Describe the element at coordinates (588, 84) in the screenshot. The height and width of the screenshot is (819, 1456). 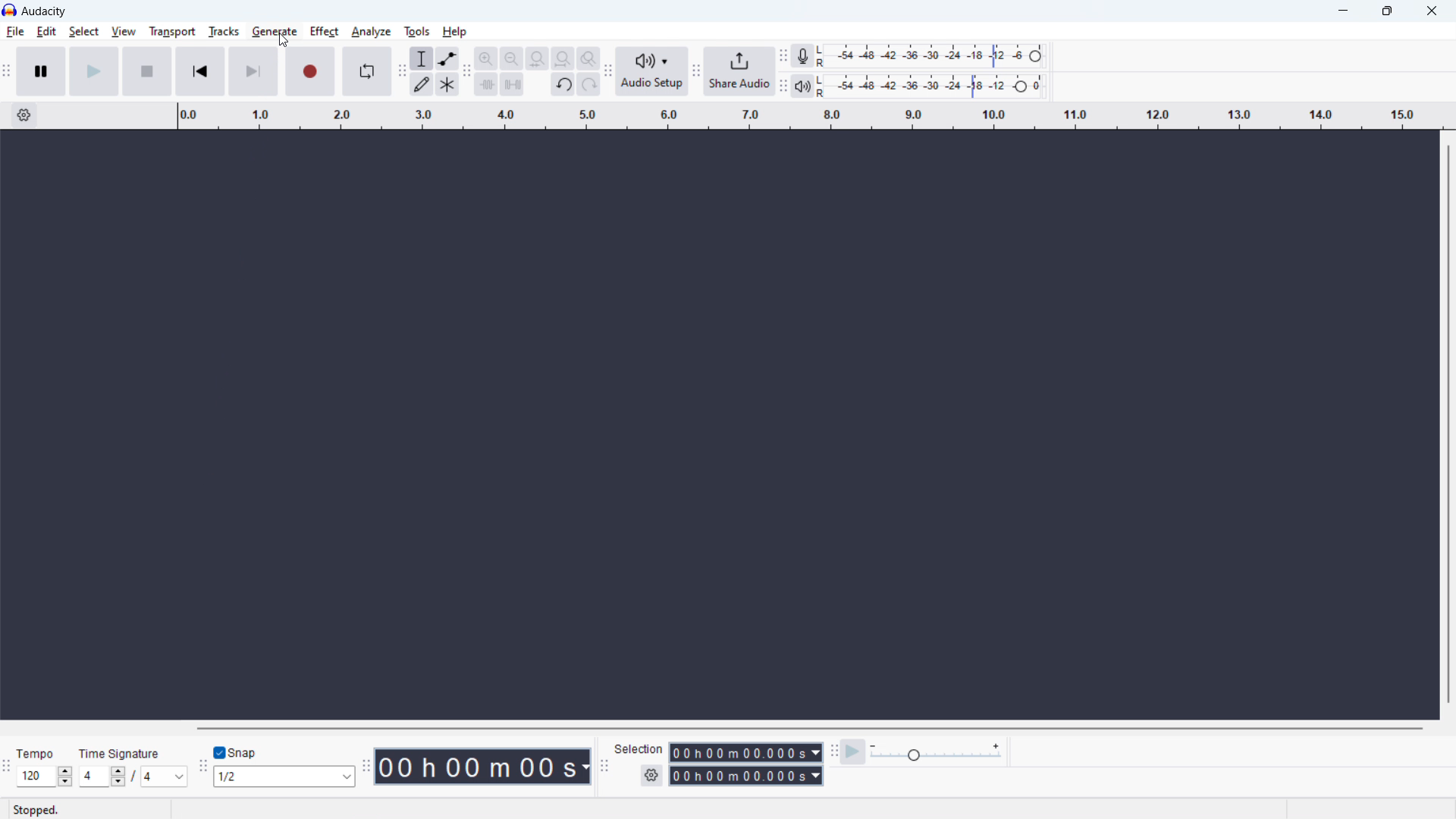
I see `redo` at that location.